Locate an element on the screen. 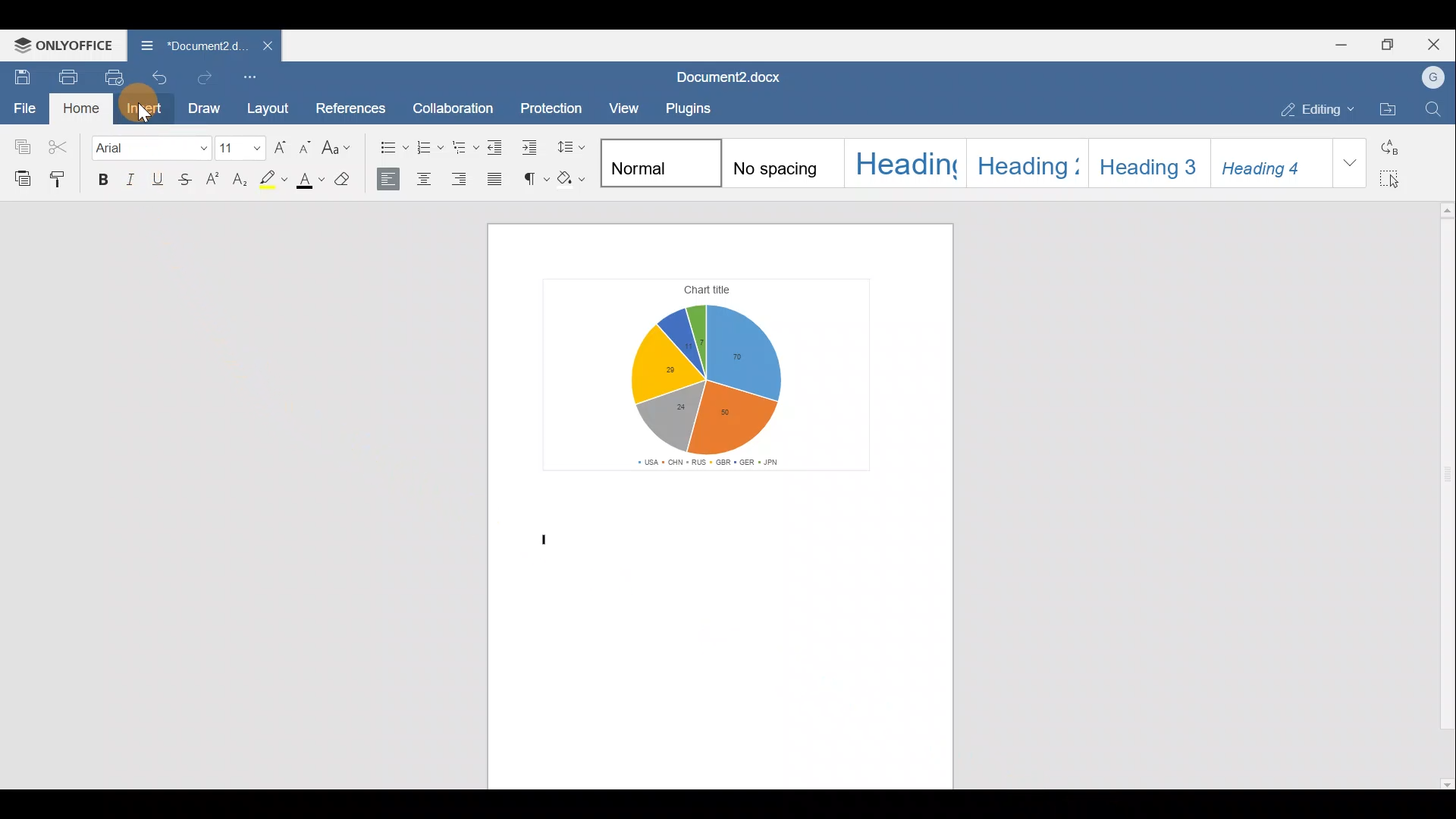  Document name is located at coordinates (731, 76).